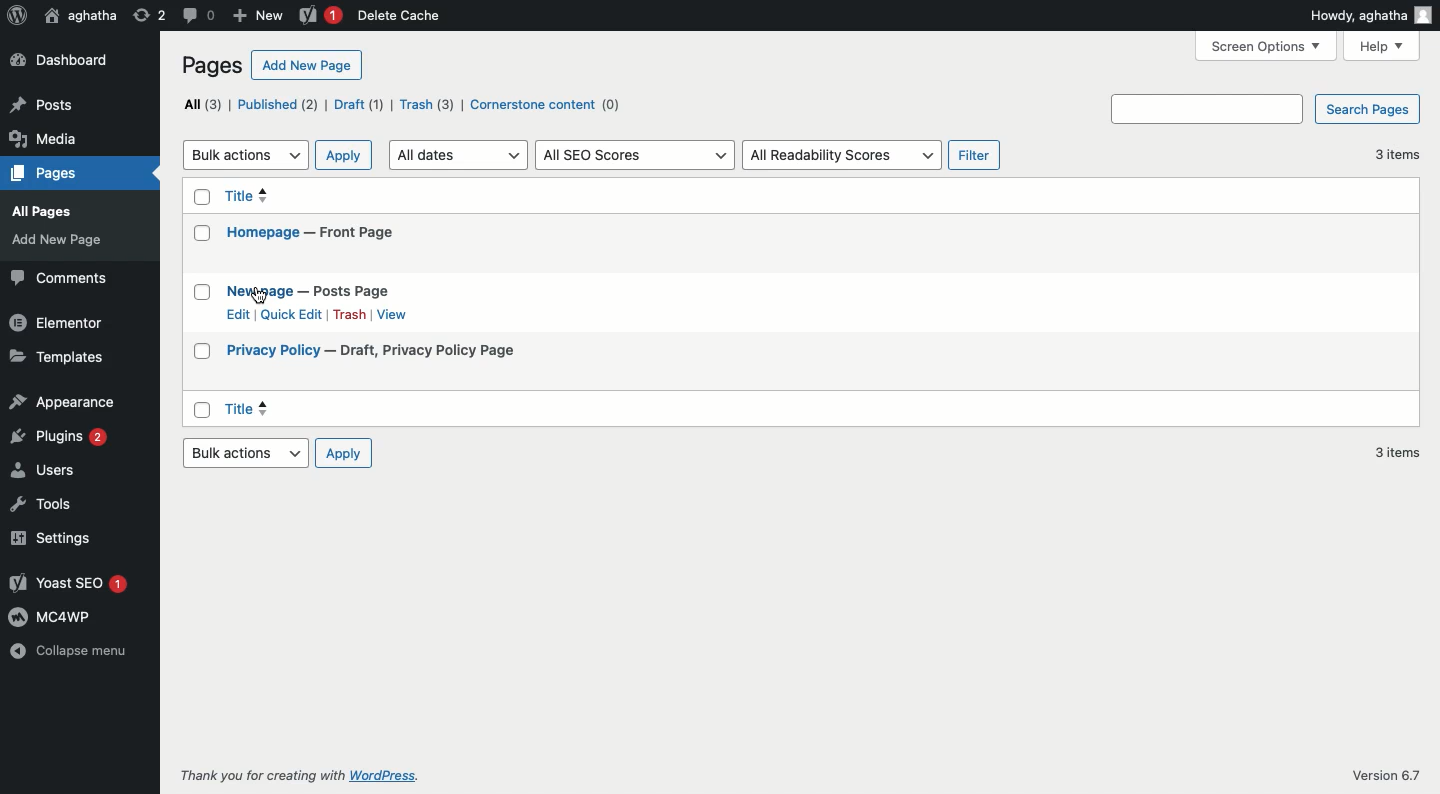  Describe the element at coordinates (61, 438) in the screenshot. I see `Plugins` at that location.